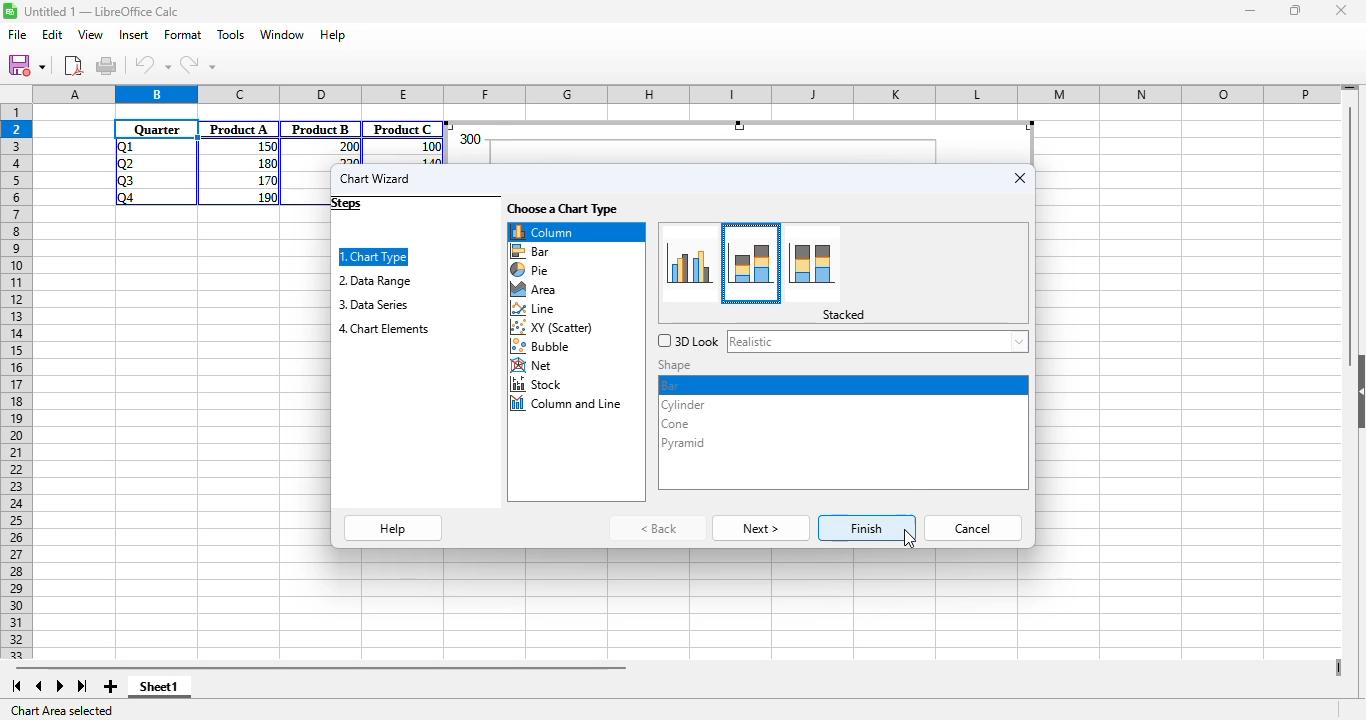  I want to click on rows, so click(16, 373).